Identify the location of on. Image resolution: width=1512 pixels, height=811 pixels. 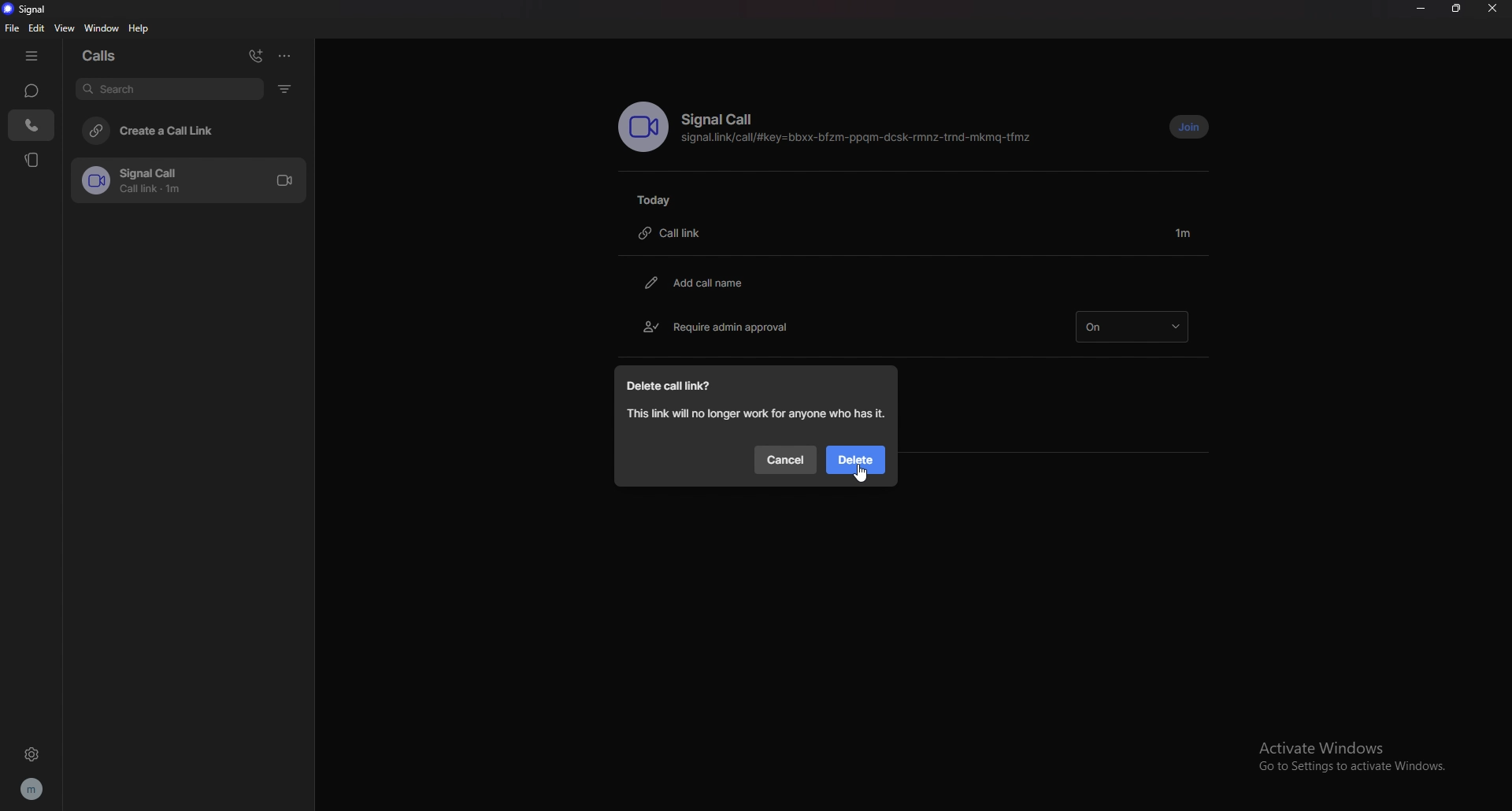
(1136, 325).